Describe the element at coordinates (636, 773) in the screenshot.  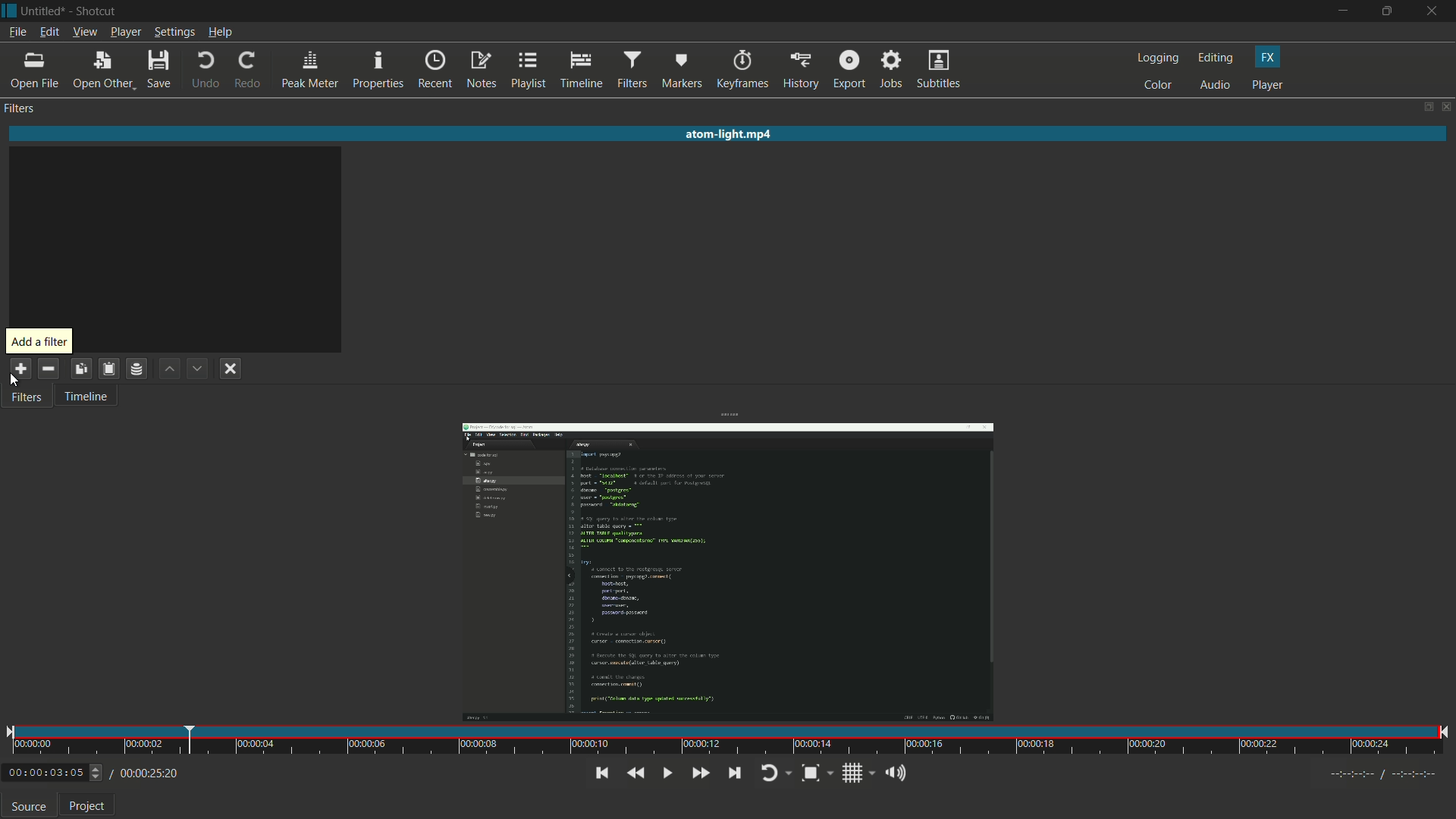
I see `quickly play backwards` at that location.